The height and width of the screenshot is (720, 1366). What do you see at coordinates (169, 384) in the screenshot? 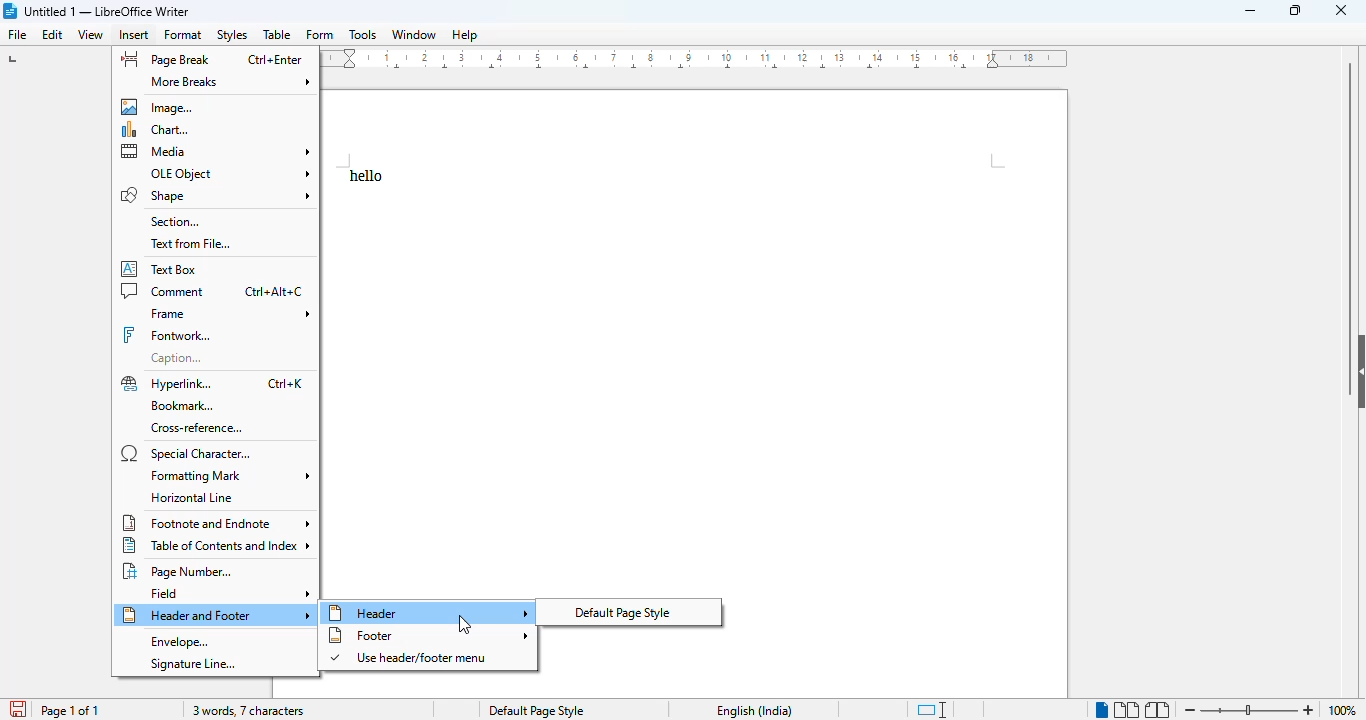
I see `hyperlink` at bounding box center [169, 384].